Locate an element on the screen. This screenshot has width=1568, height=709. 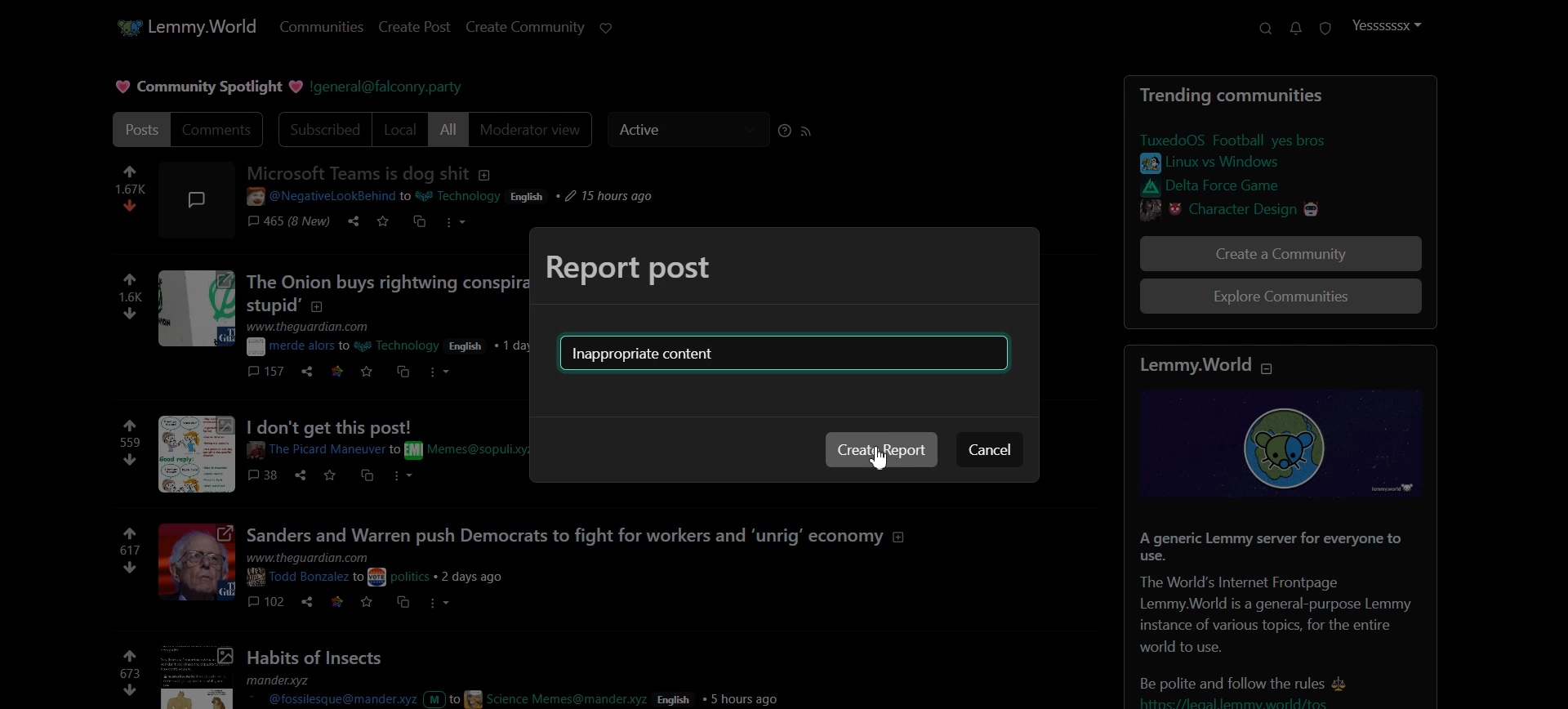
Text is located at coordinates (630, 270).